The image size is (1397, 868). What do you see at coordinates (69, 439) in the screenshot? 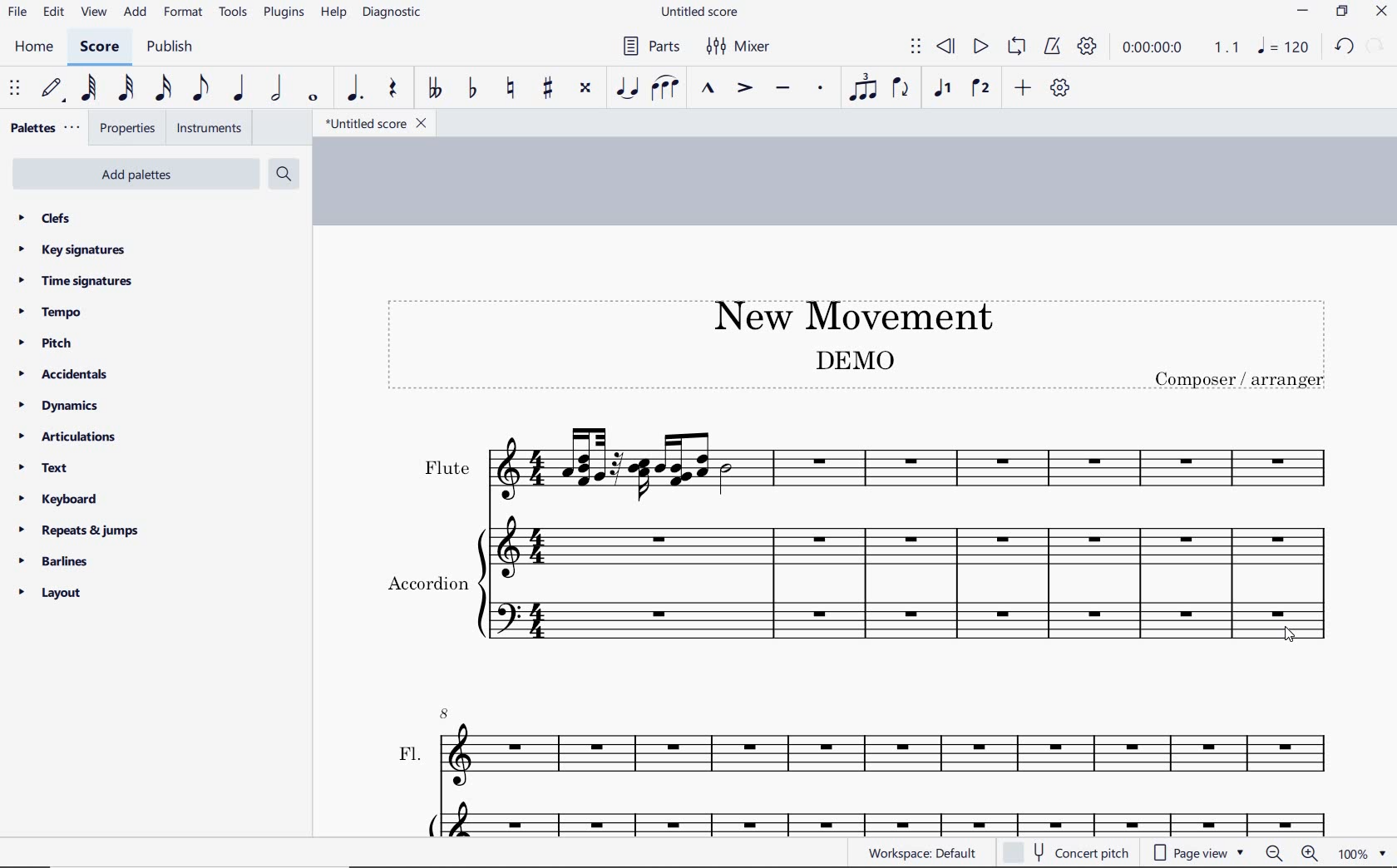
I see `articulations` at bounding box center [69, 439].